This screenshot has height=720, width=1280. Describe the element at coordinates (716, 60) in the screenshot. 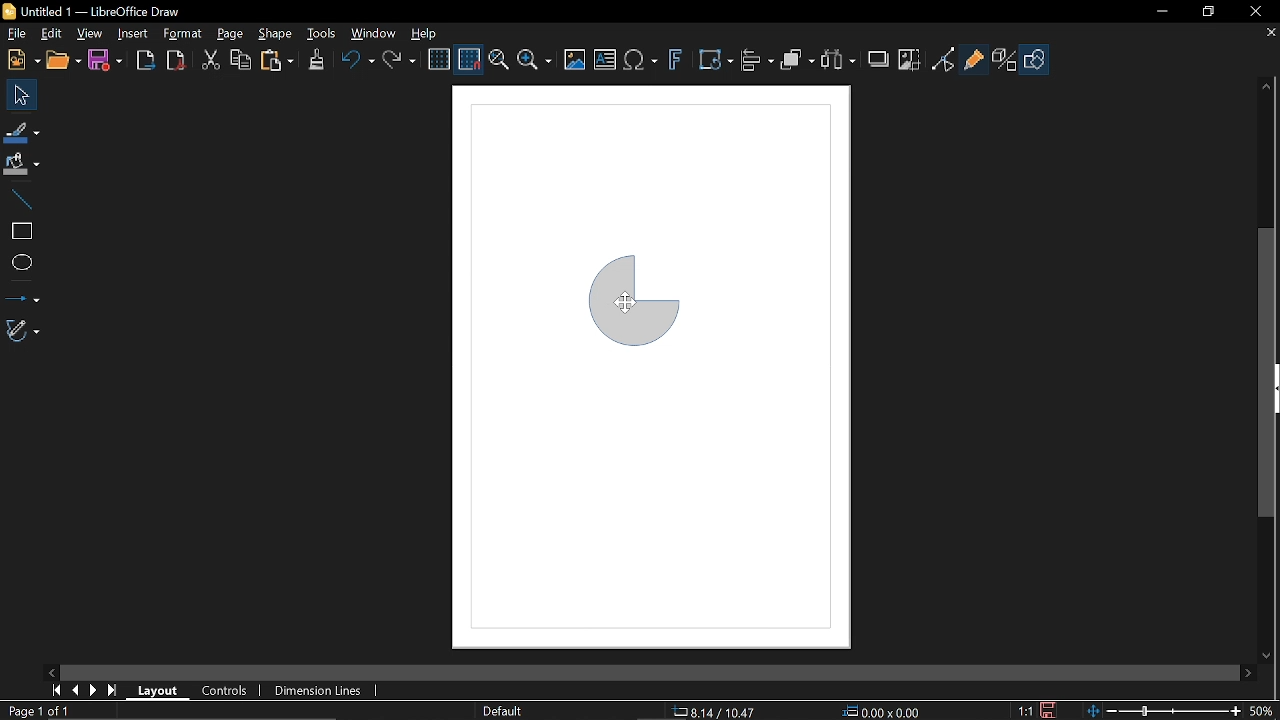

I see `Transformation` at that location.